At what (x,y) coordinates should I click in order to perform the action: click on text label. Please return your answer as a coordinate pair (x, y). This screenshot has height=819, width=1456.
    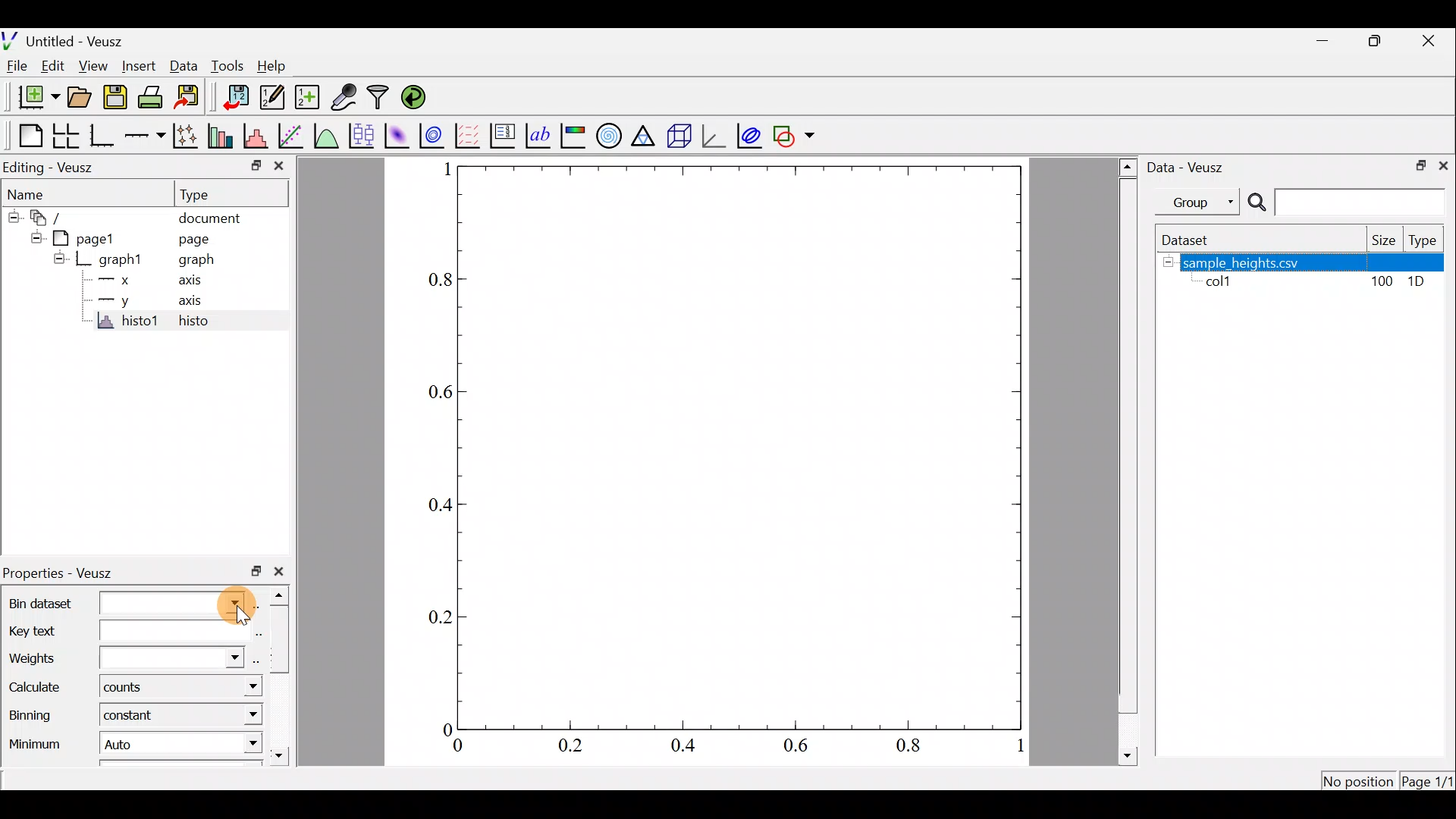
    Looking at the image, I should click on (540, 136).